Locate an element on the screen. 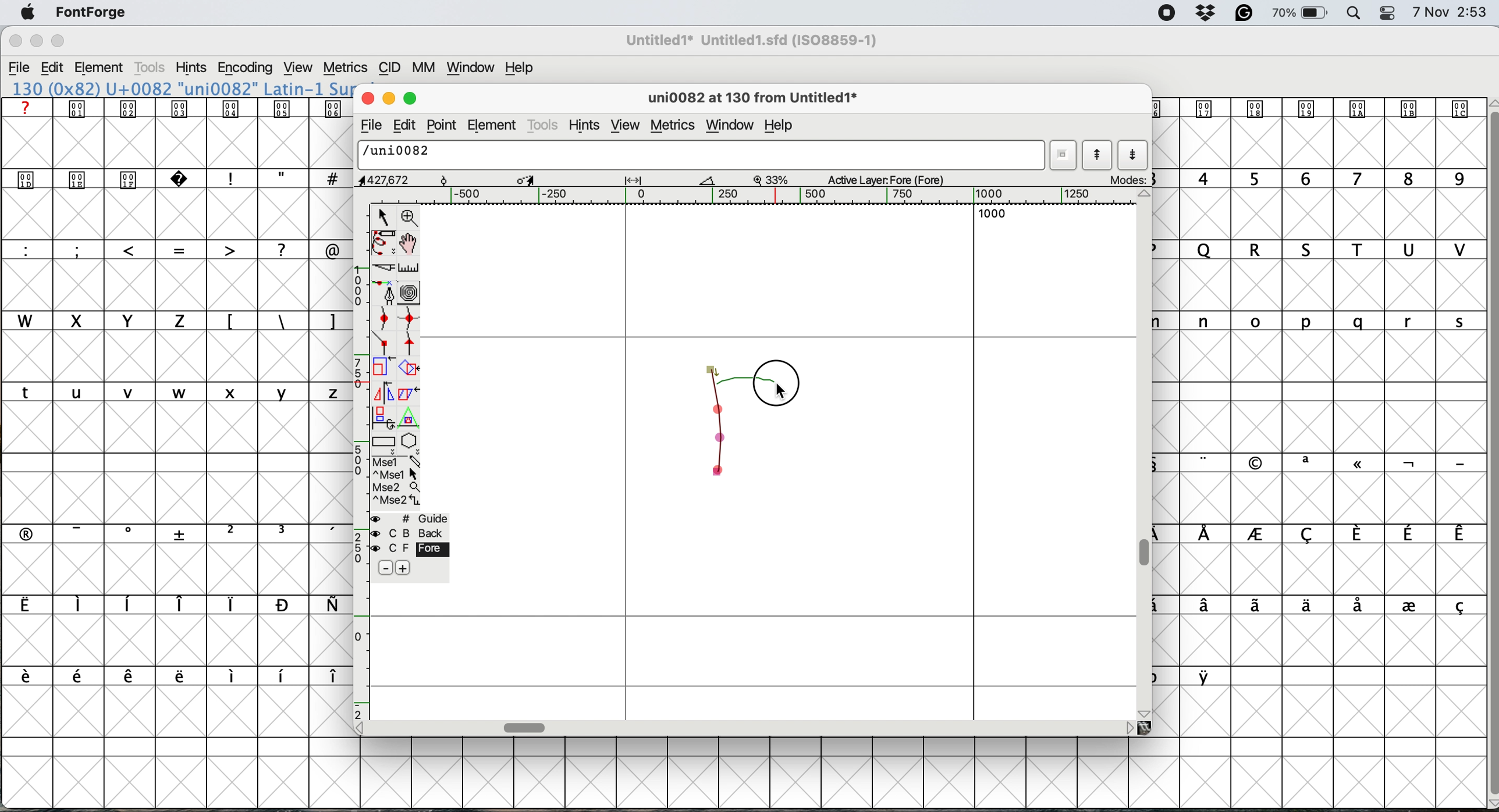 The width and height of the screenshot is (1499, 812). file is located at coordinates (22, 69).